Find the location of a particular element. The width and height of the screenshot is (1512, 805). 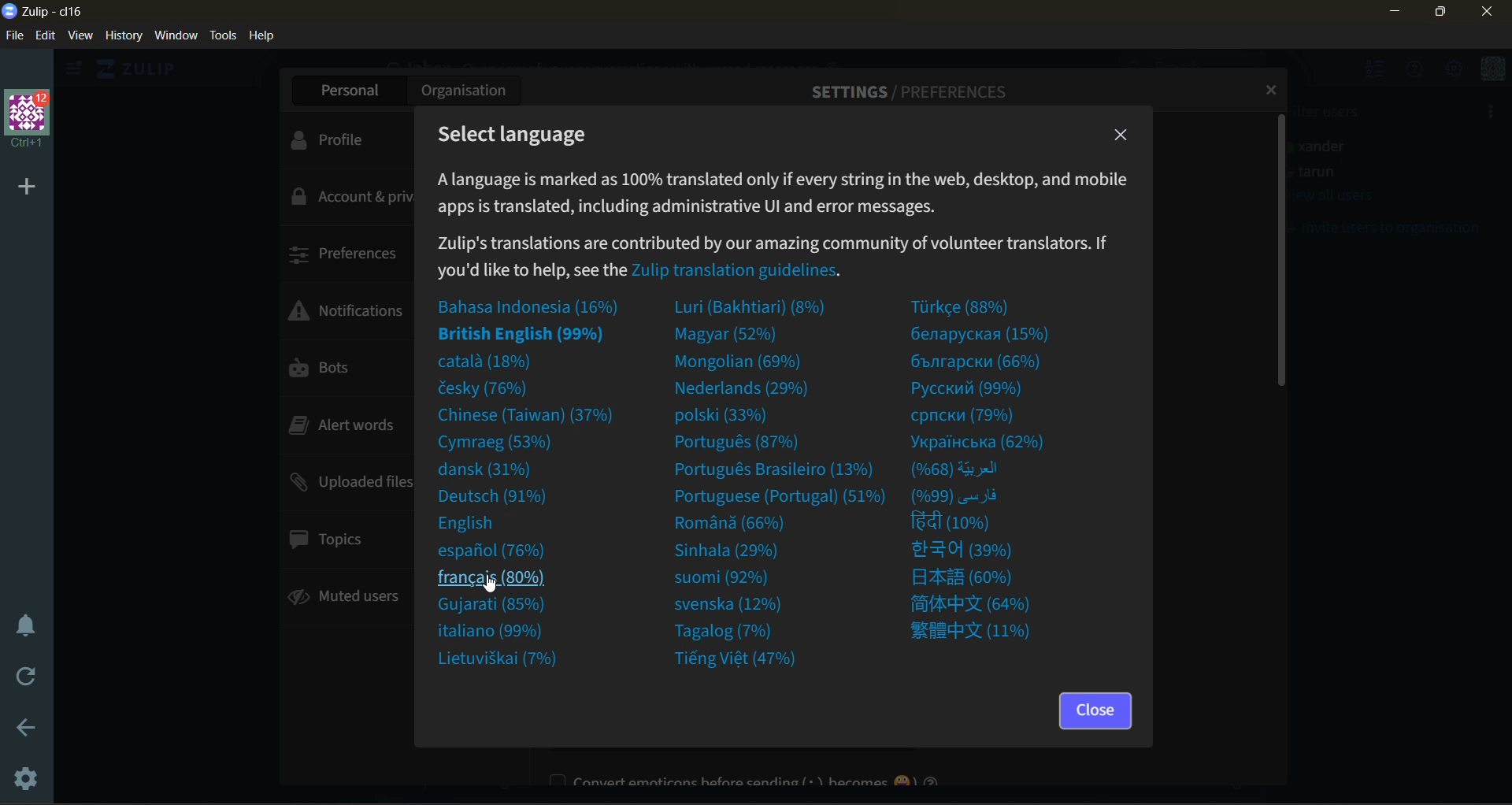

vertical scroll bar is located at coordinates (1281, 252).